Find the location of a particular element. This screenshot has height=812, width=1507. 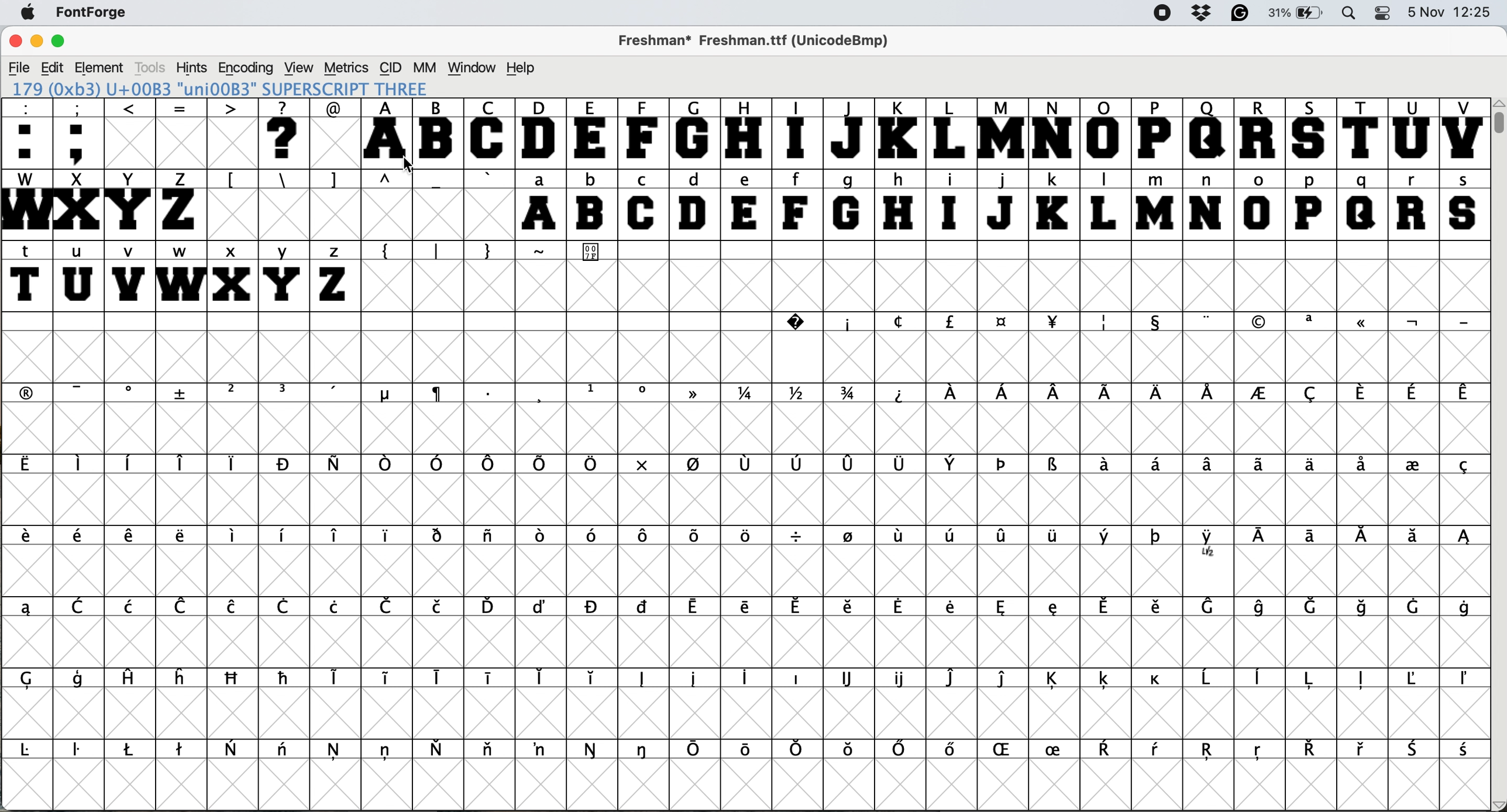

symbol is located at coordinates (335, 393).